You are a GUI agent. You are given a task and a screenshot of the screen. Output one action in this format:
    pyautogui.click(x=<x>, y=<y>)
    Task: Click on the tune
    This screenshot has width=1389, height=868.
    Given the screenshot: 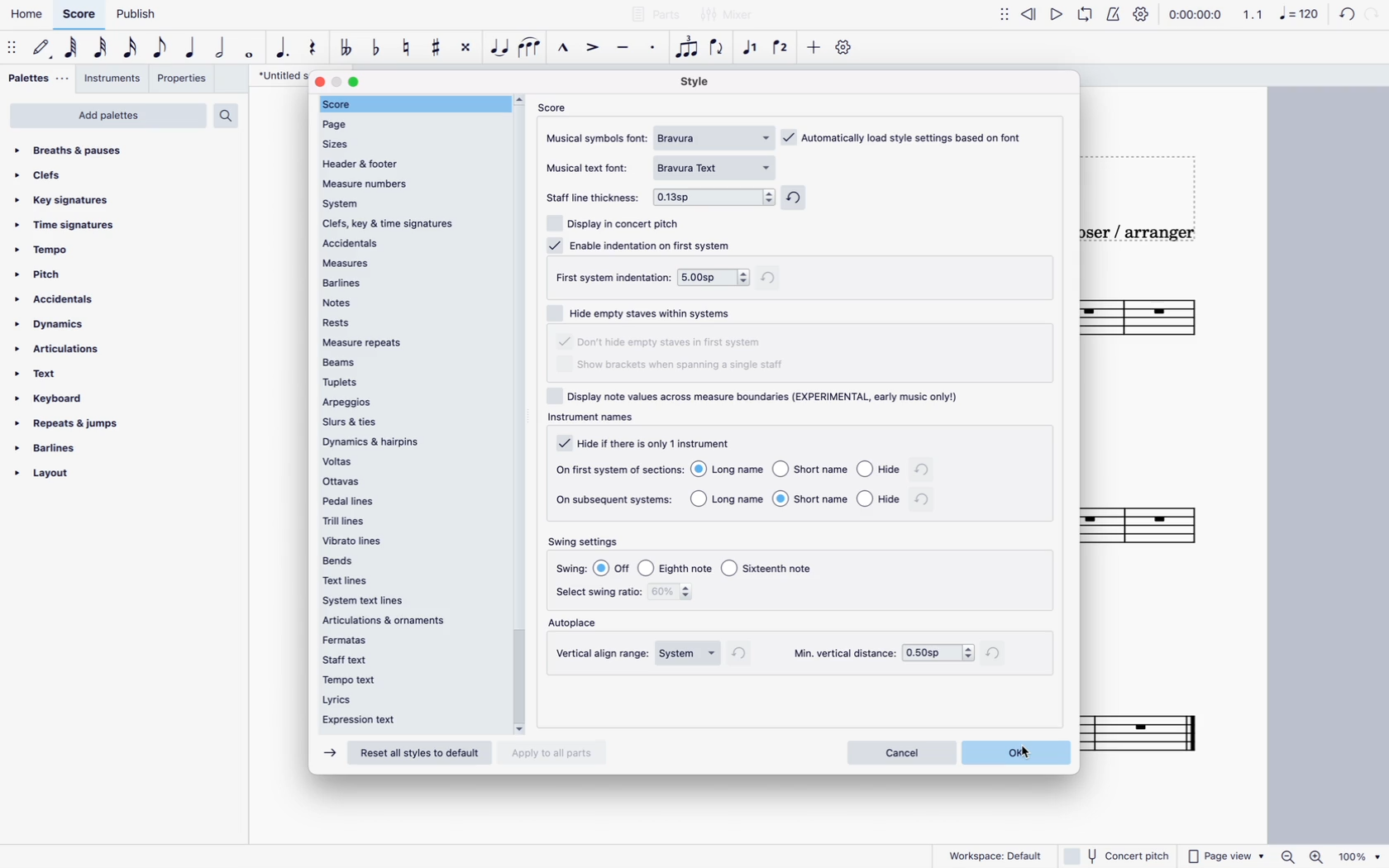 What is the action you would take?
    pyautogui.click(x=409, y=45)
    